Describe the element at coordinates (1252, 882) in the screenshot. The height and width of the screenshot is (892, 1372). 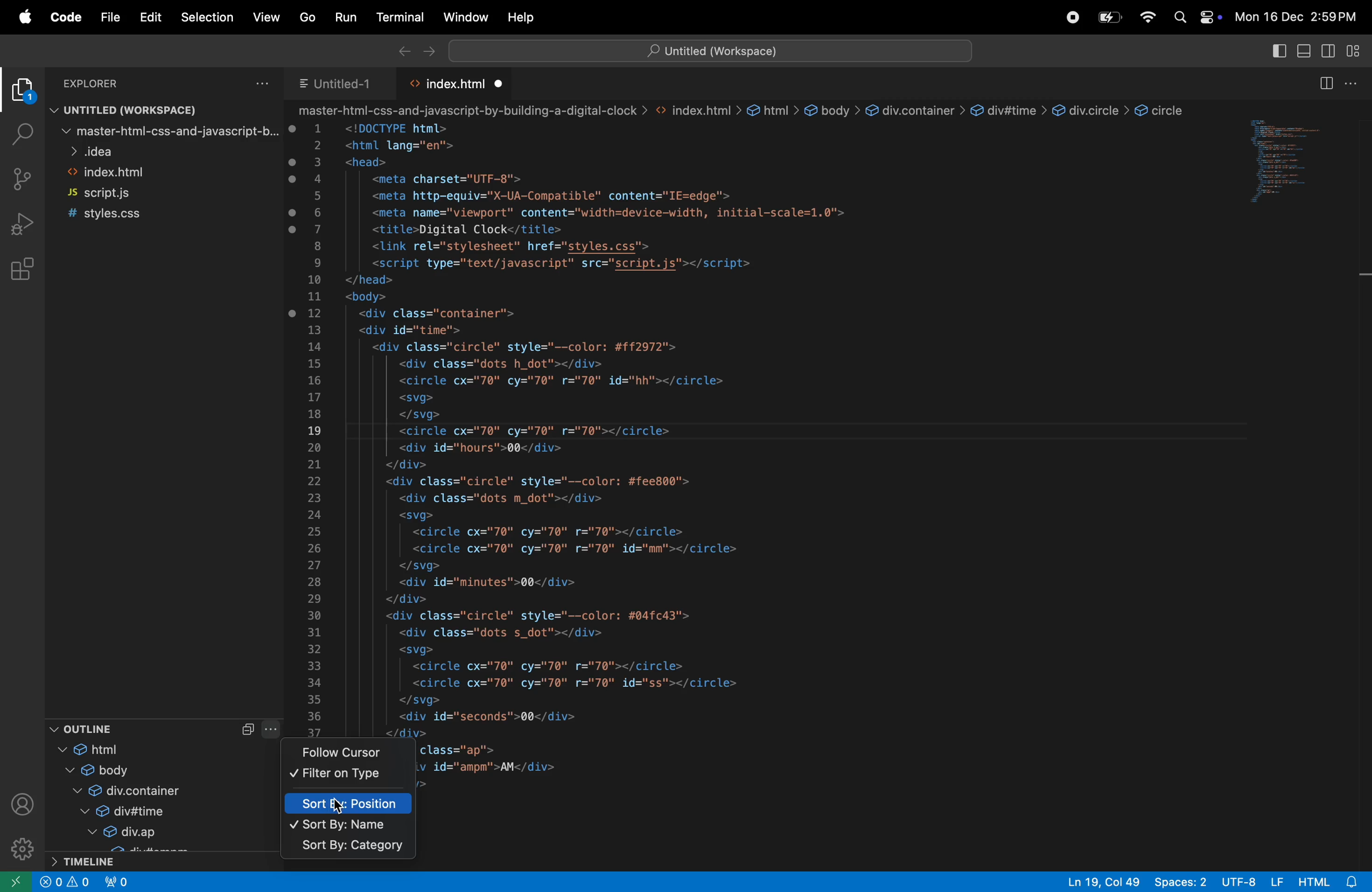
I see `urf 8` at that location.